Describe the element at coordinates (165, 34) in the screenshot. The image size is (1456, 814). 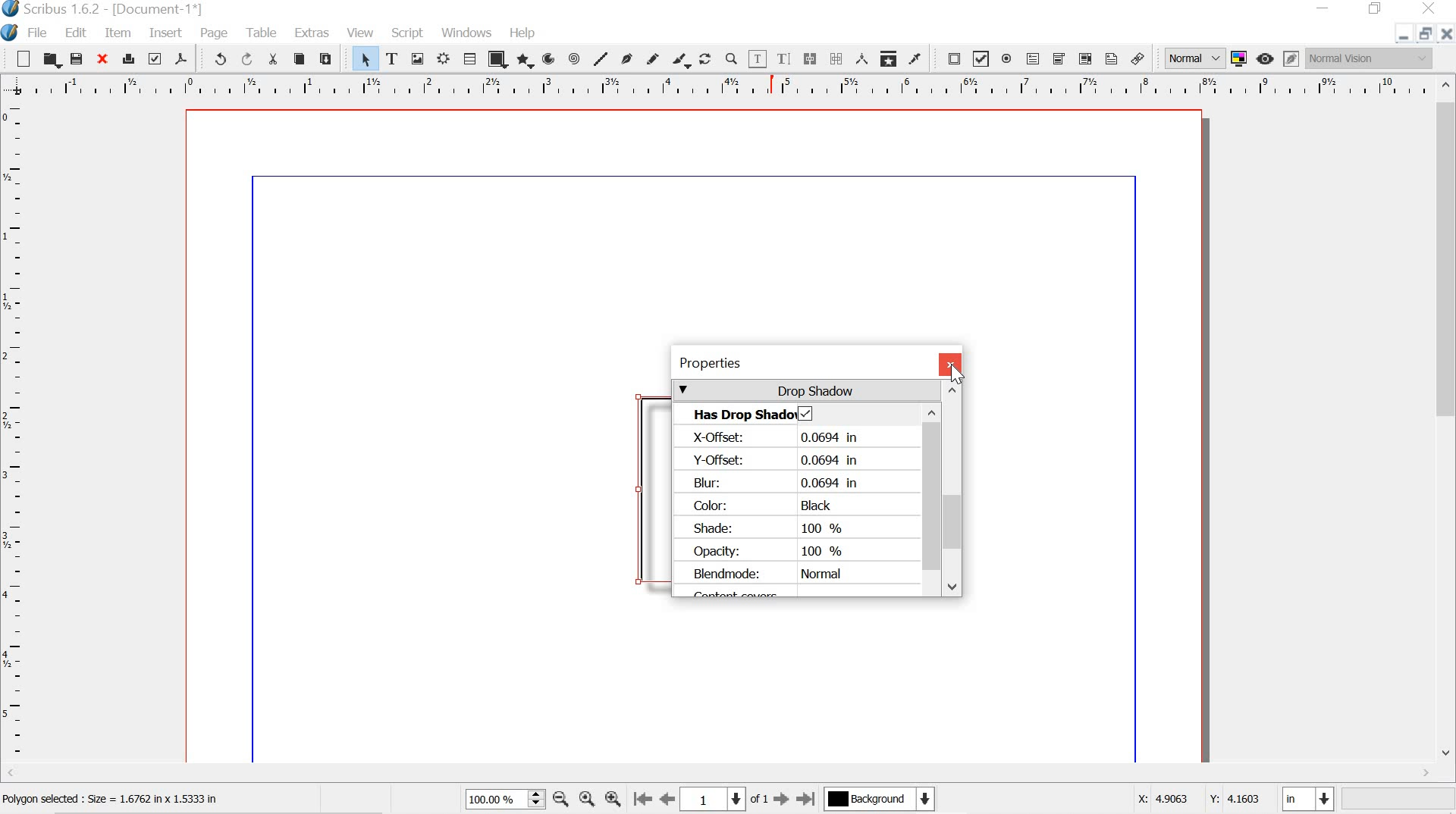
I see `INSERT` at that location.